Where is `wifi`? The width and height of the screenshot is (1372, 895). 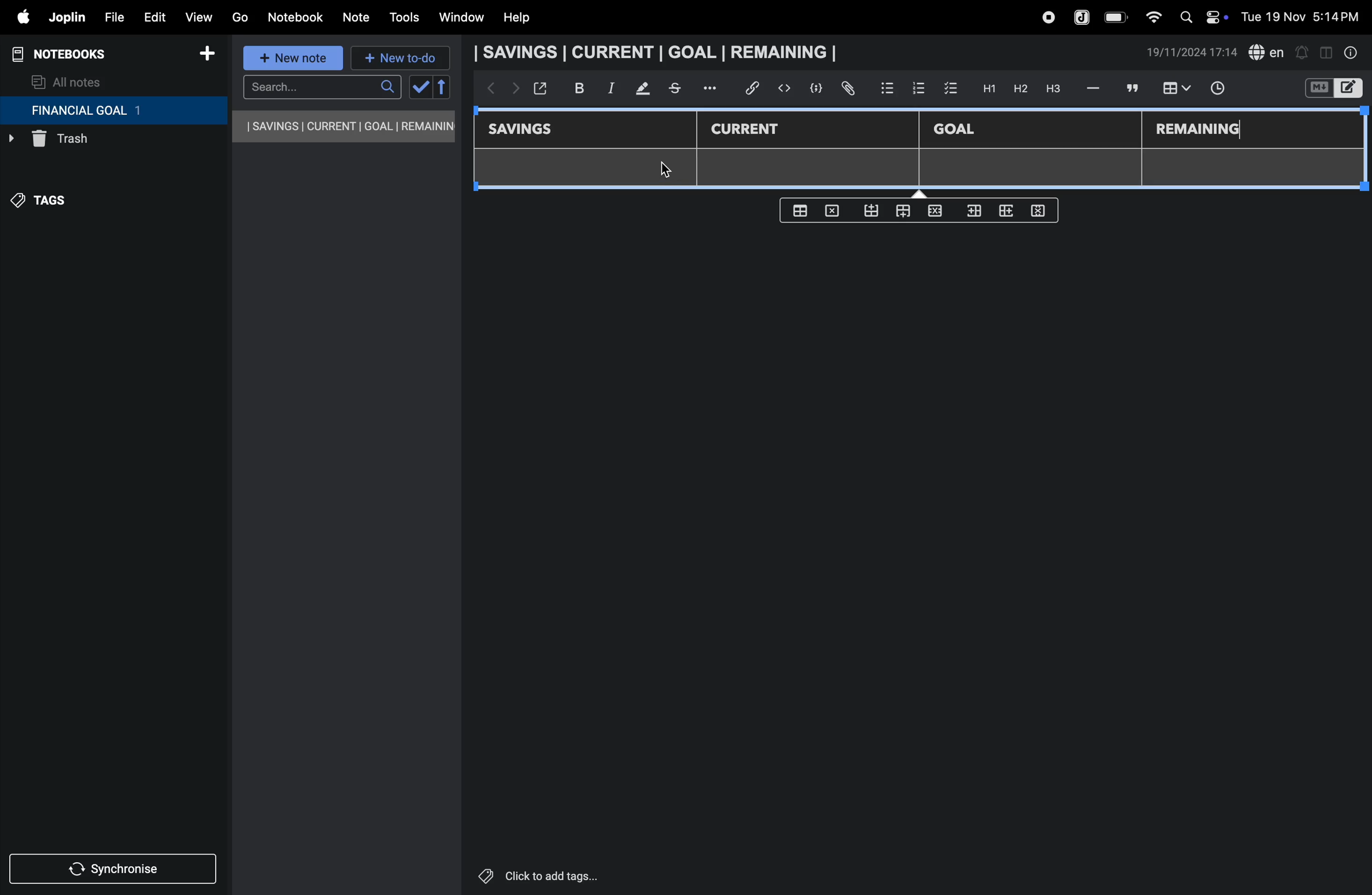 wifi is located at coordinates (1150, 17).